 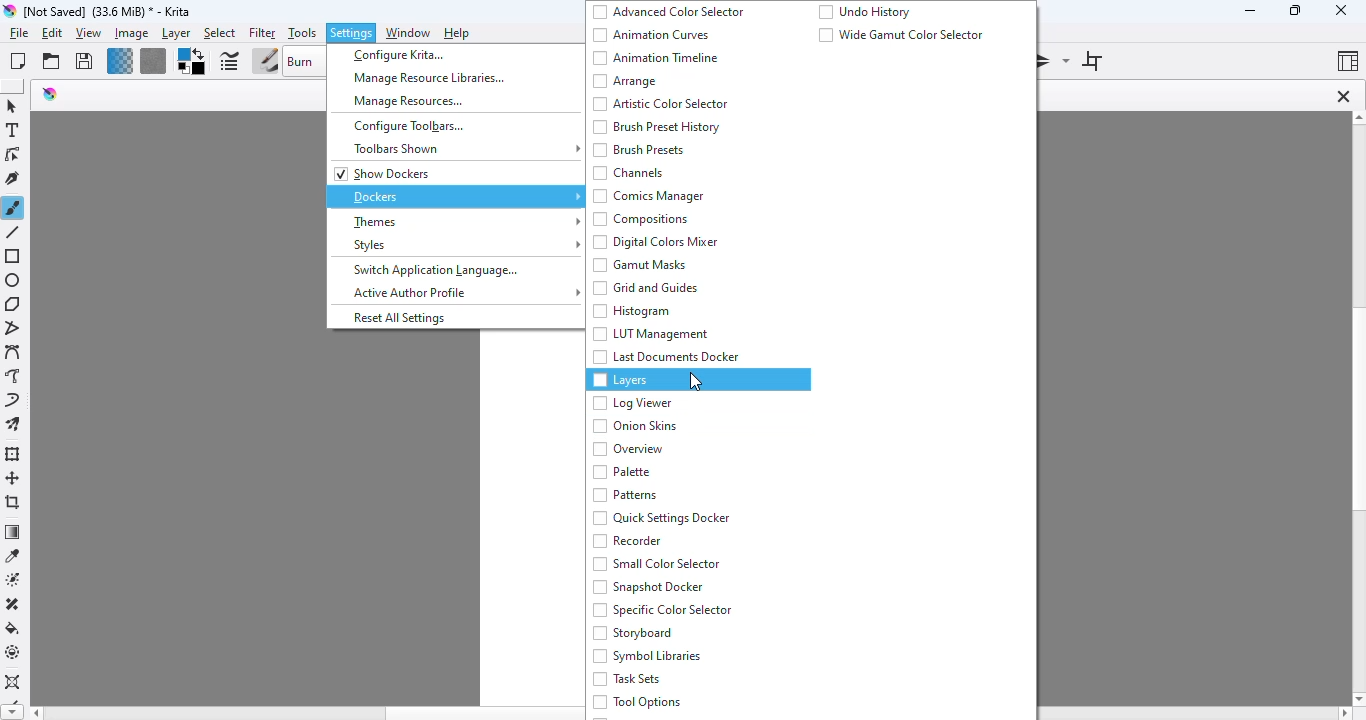 What do you see at coordinates (9, 11) in the screenshot?
I see `logo` at bounding box center [9, 11].